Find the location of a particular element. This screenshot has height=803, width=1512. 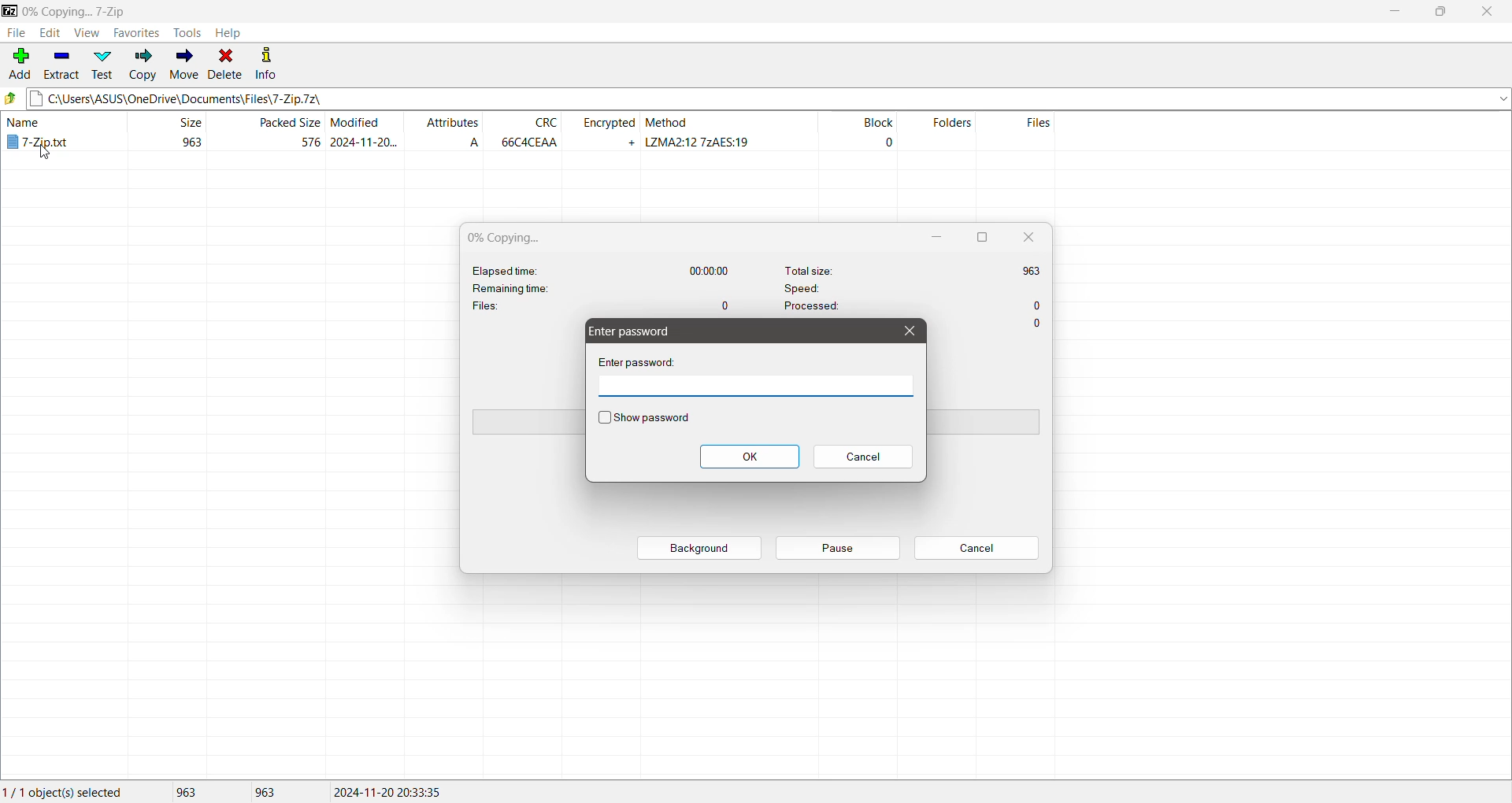

Remaining time is located at coordinates (532, 288).